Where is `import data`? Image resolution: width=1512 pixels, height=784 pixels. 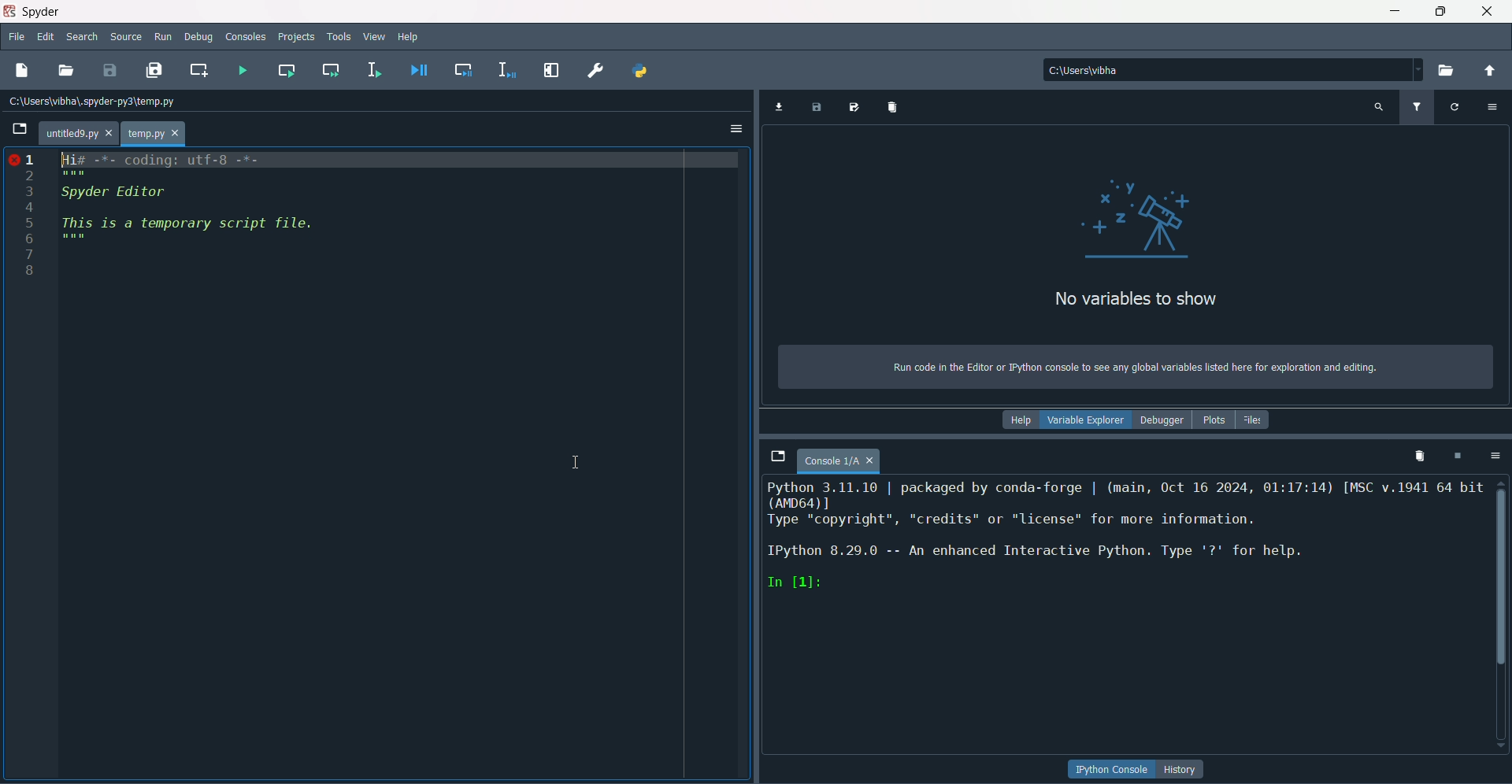
import data is located at coordinates (780, 108).